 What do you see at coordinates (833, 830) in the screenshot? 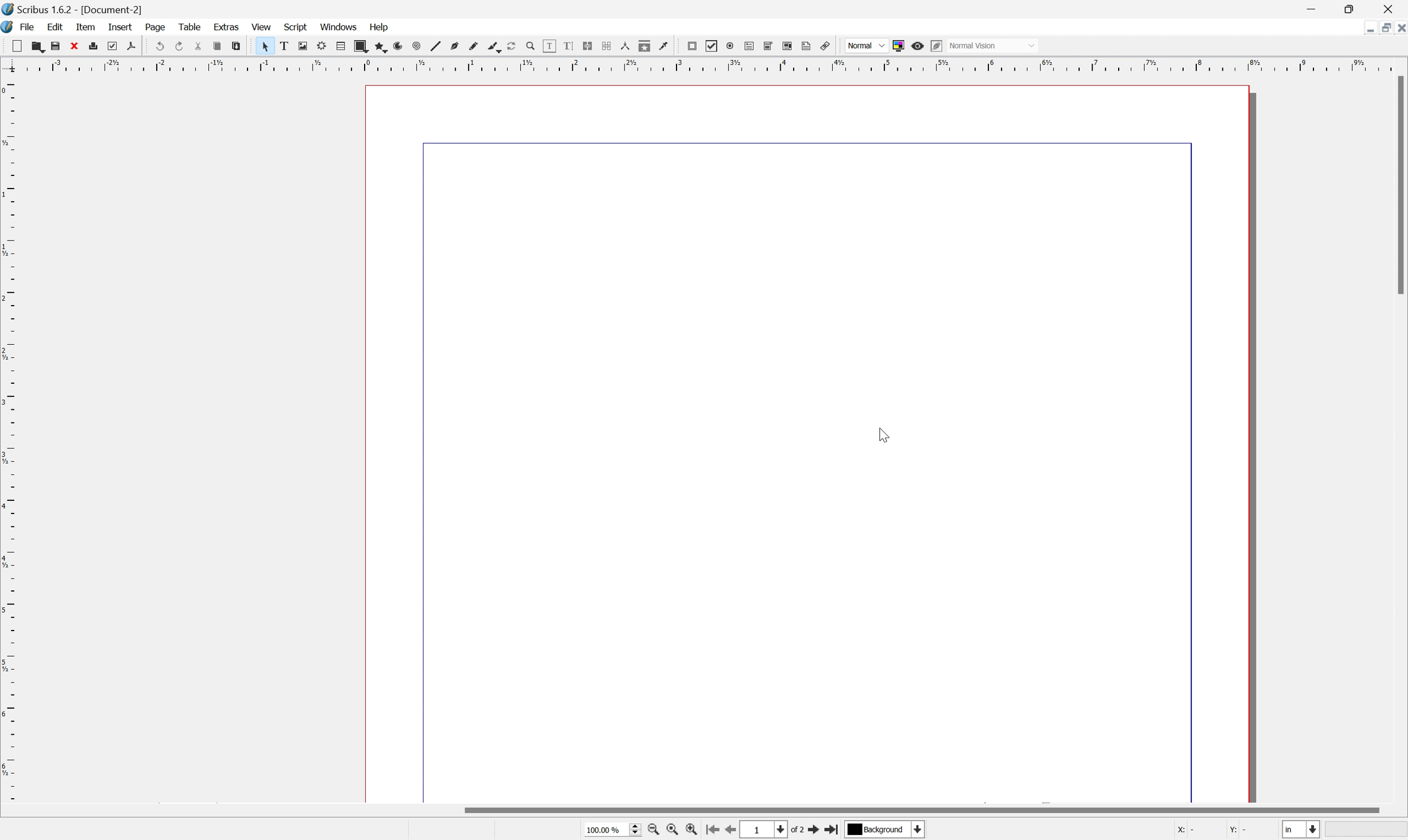
I see `go to last page` at bounding box center [833, 830].